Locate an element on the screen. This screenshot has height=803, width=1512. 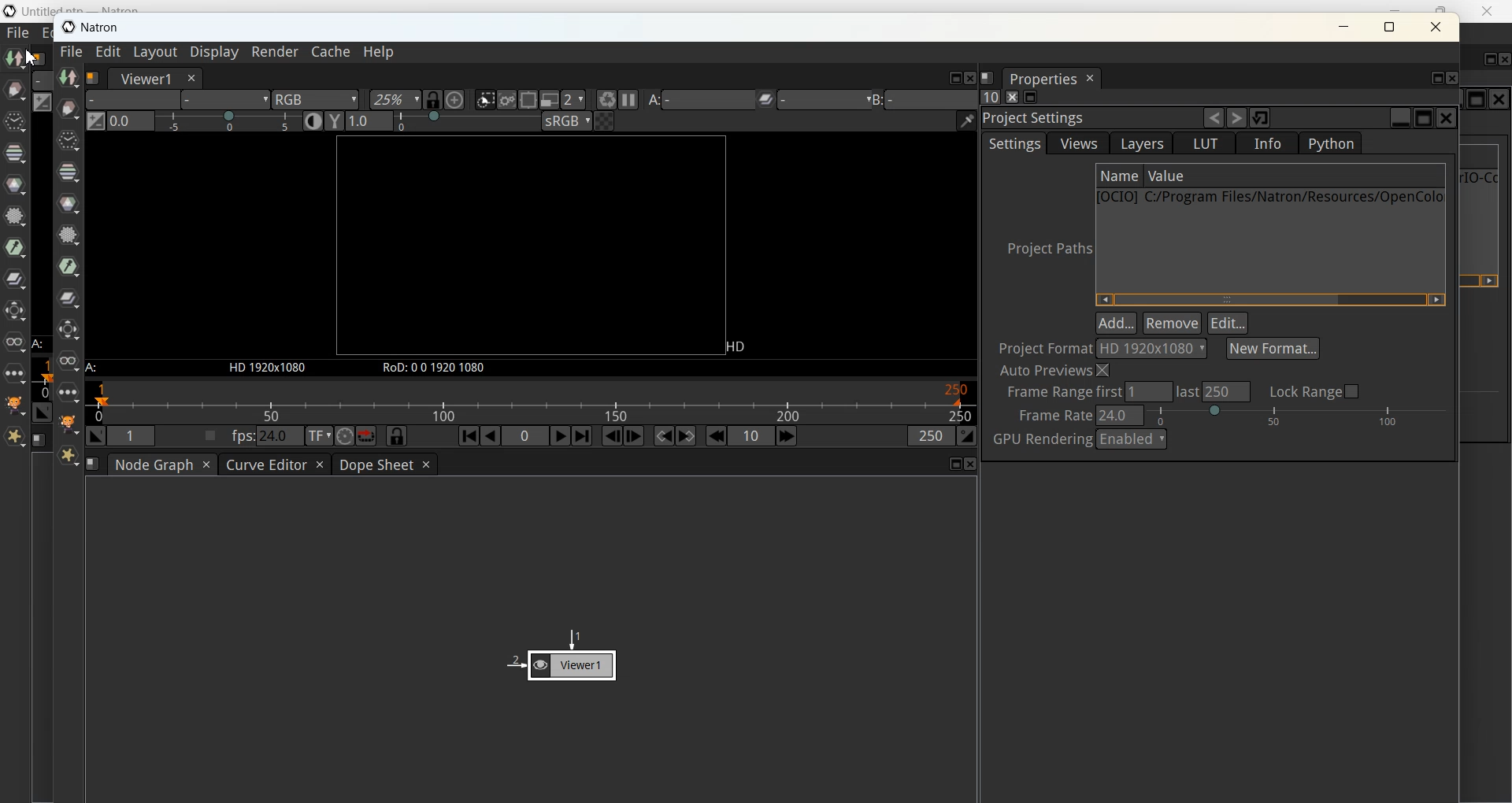
Merge is located at coordinates (15, 278).